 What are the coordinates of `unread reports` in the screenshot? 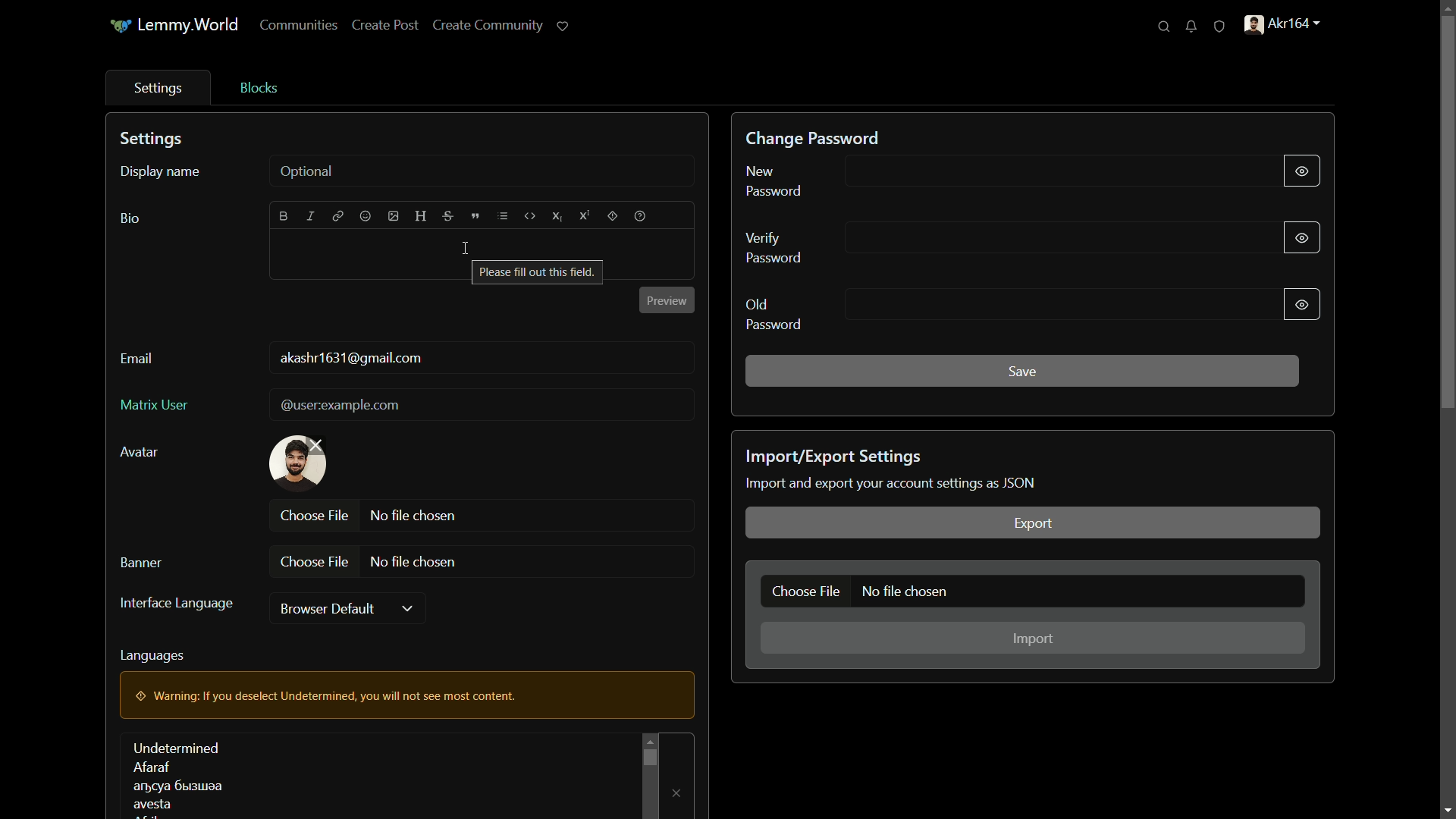 It's located at (1219, 26).